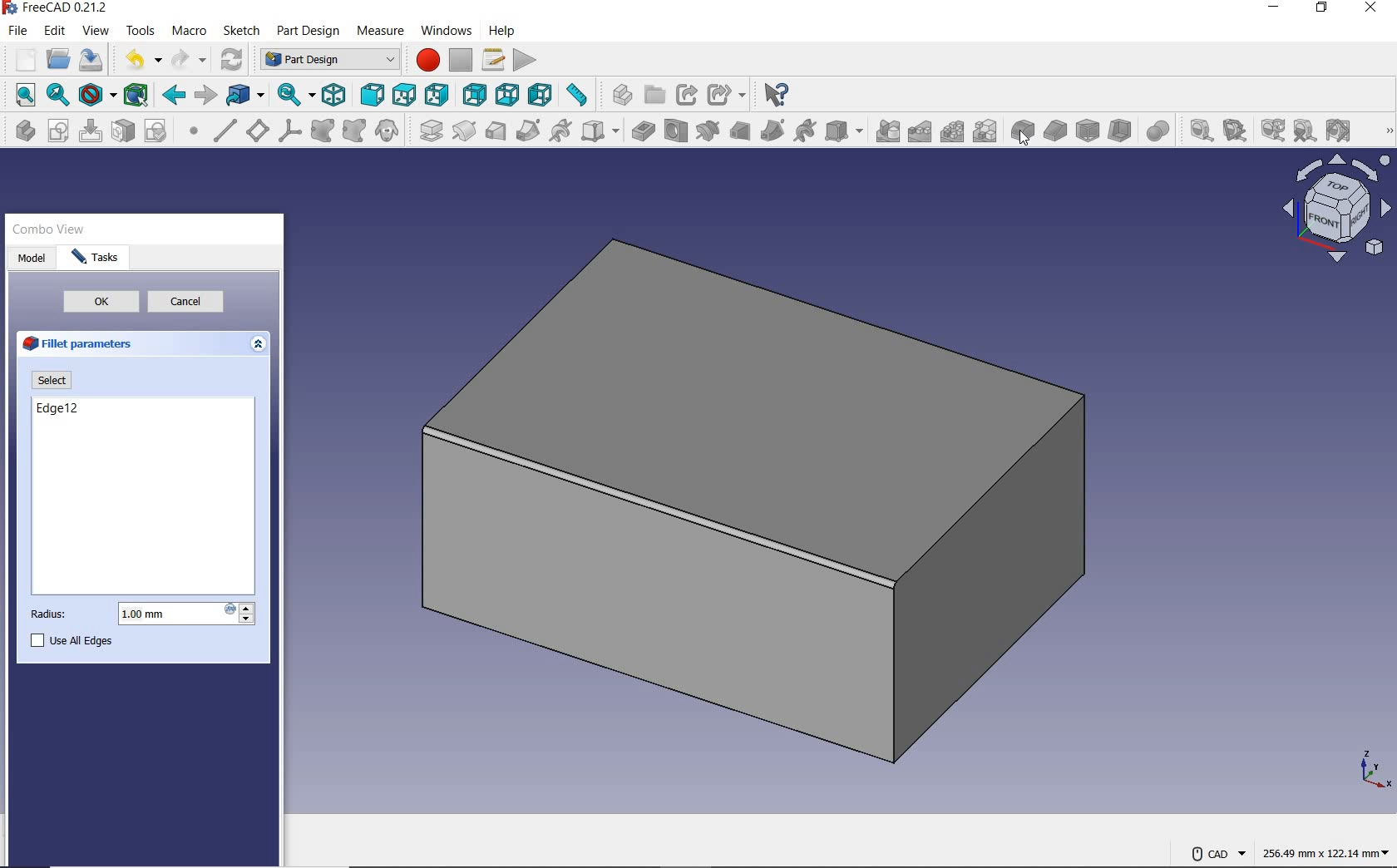 The width and height of the screenshot is (1397, 868). Describe the element at coordinates (642, 131) in the screenshot. I see `pocket` at that location.